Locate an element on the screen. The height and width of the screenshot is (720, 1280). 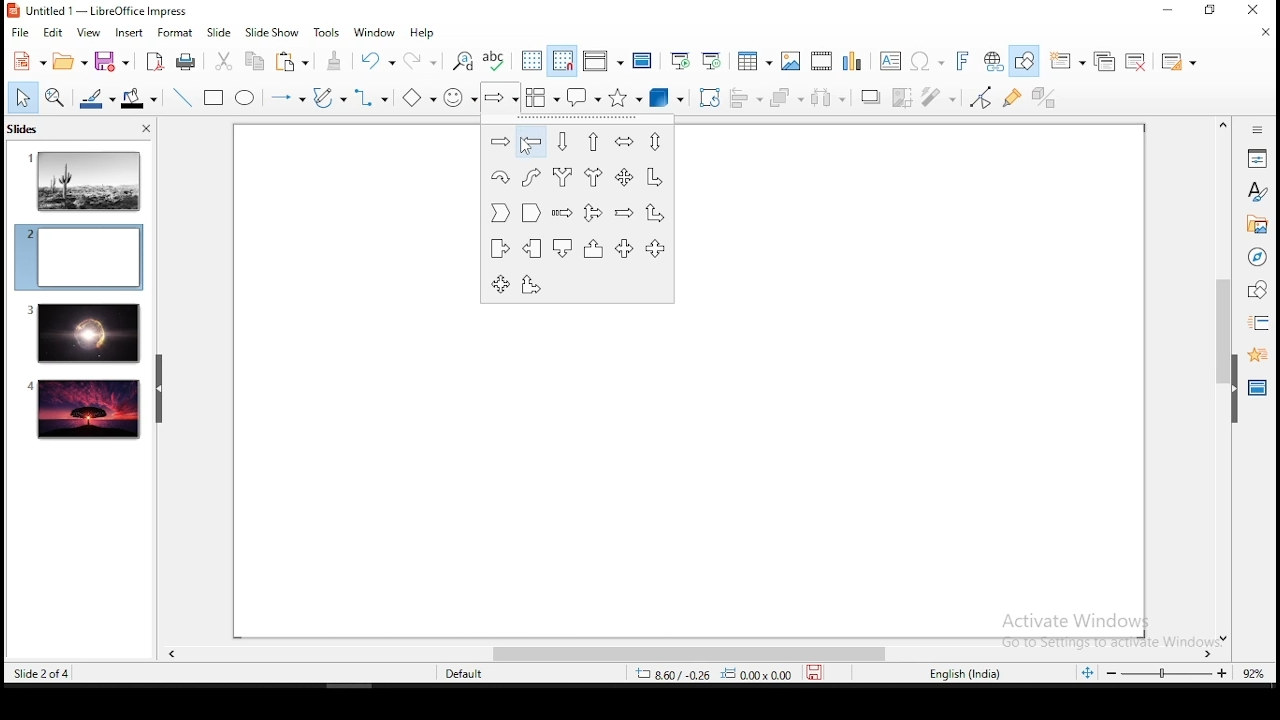
slides is located at coordinates (27, 129).